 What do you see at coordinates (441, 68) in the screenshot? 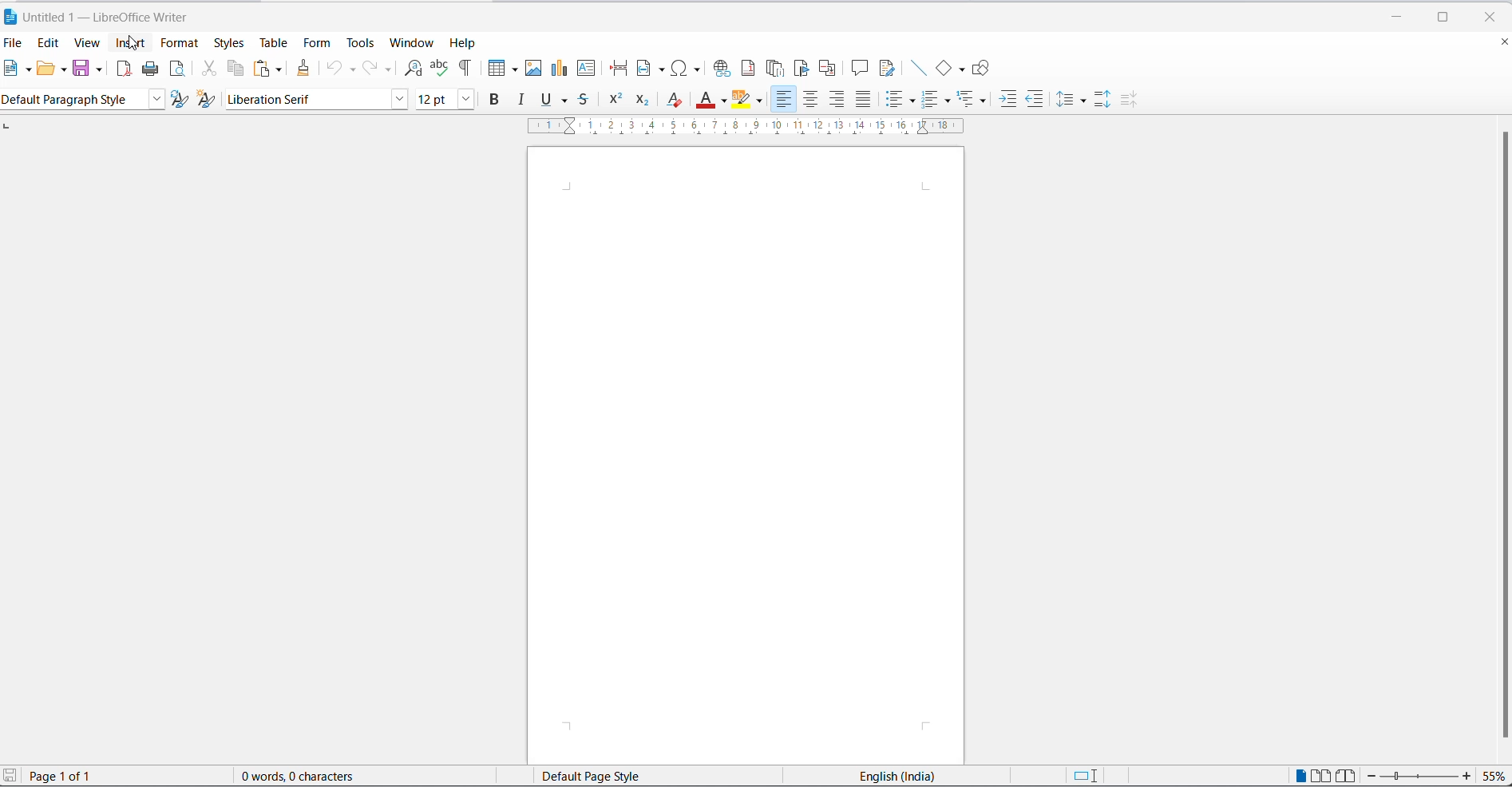
I see `spelling` at bounding box center [441, 68].